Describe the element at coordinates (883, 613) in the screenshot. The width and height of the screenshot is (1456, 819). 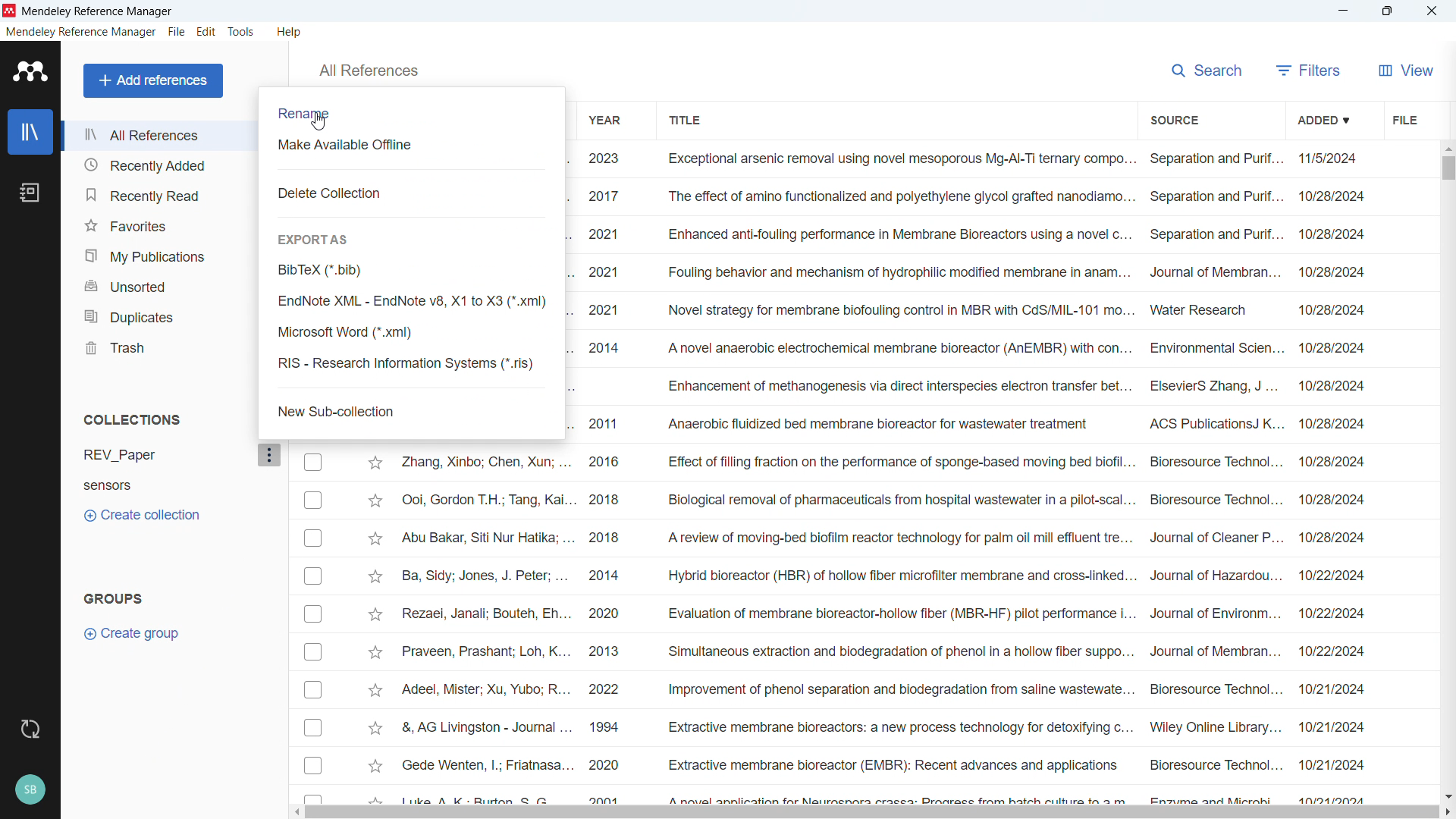
I see `Rezaei, Janali; Bouteh, Eh... 2020 Evaluation of membrane bioreactor-hollow fiber (MBR-HF) pilot performance i... Journal of Environm... 10/22/2024` at that location.